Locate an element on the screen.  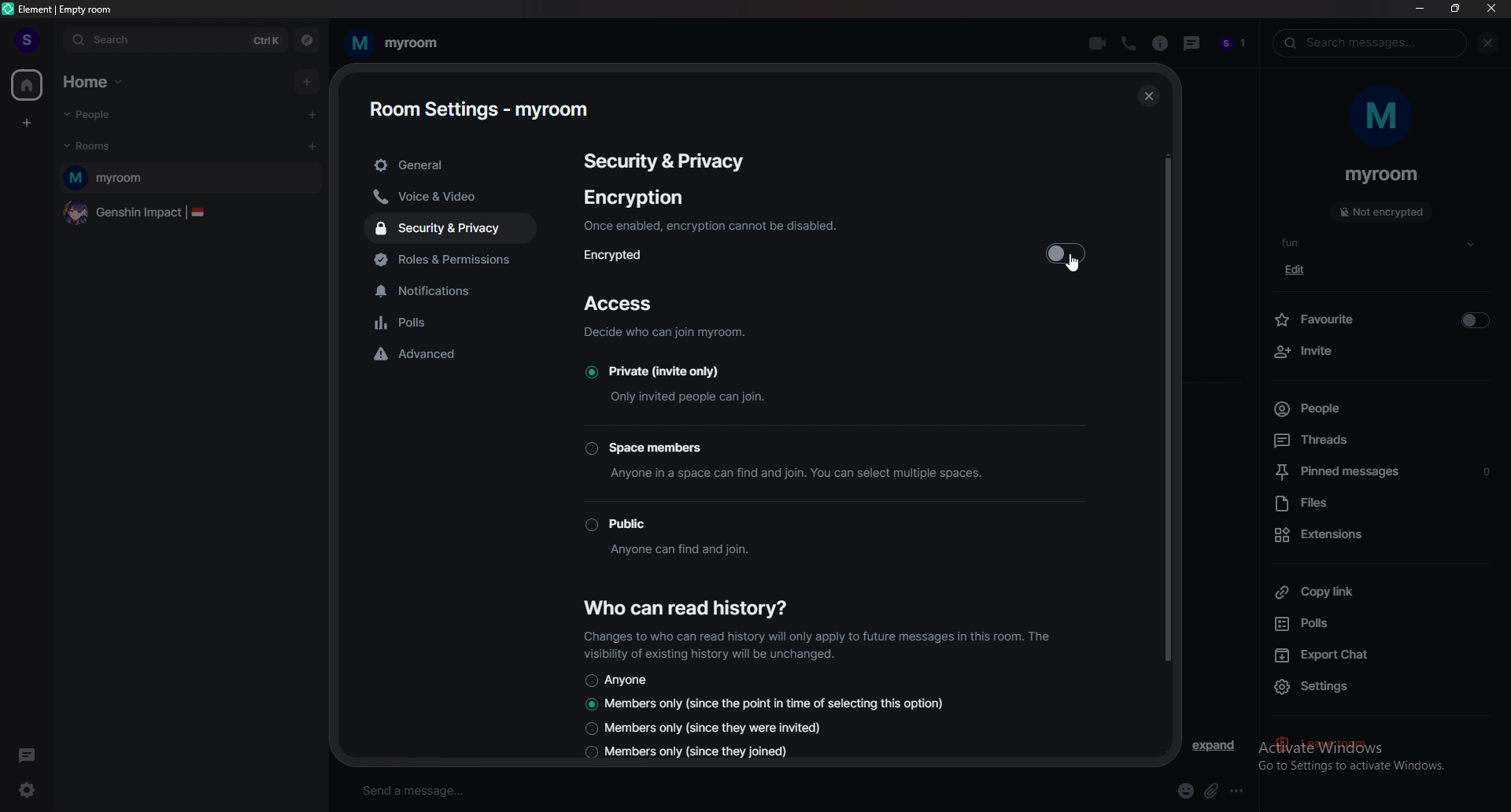
room settings - myroom is located at coordinates (481, 107).